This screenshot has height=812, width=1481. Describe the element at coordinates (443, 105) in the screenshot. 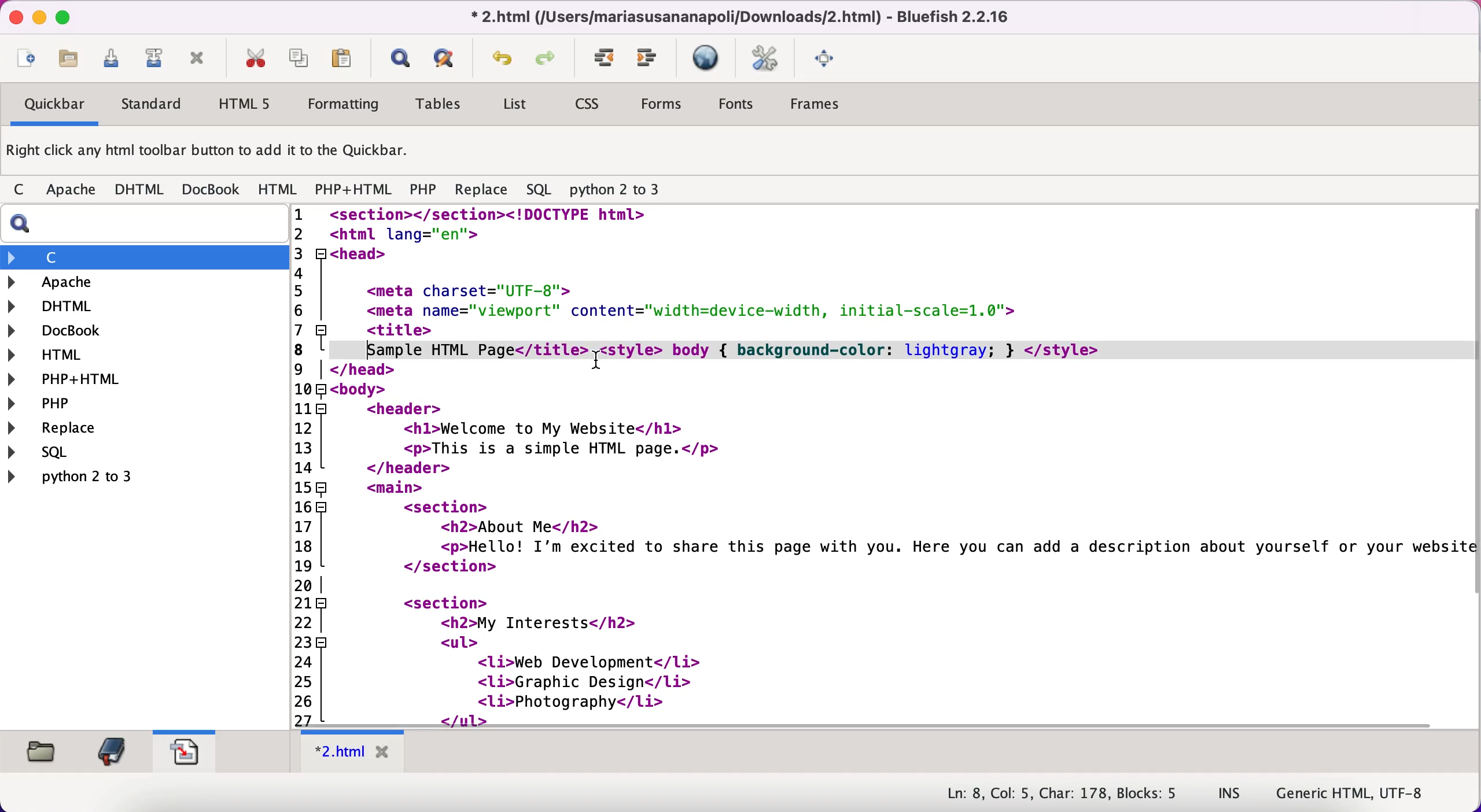

I see `tables` at that location.